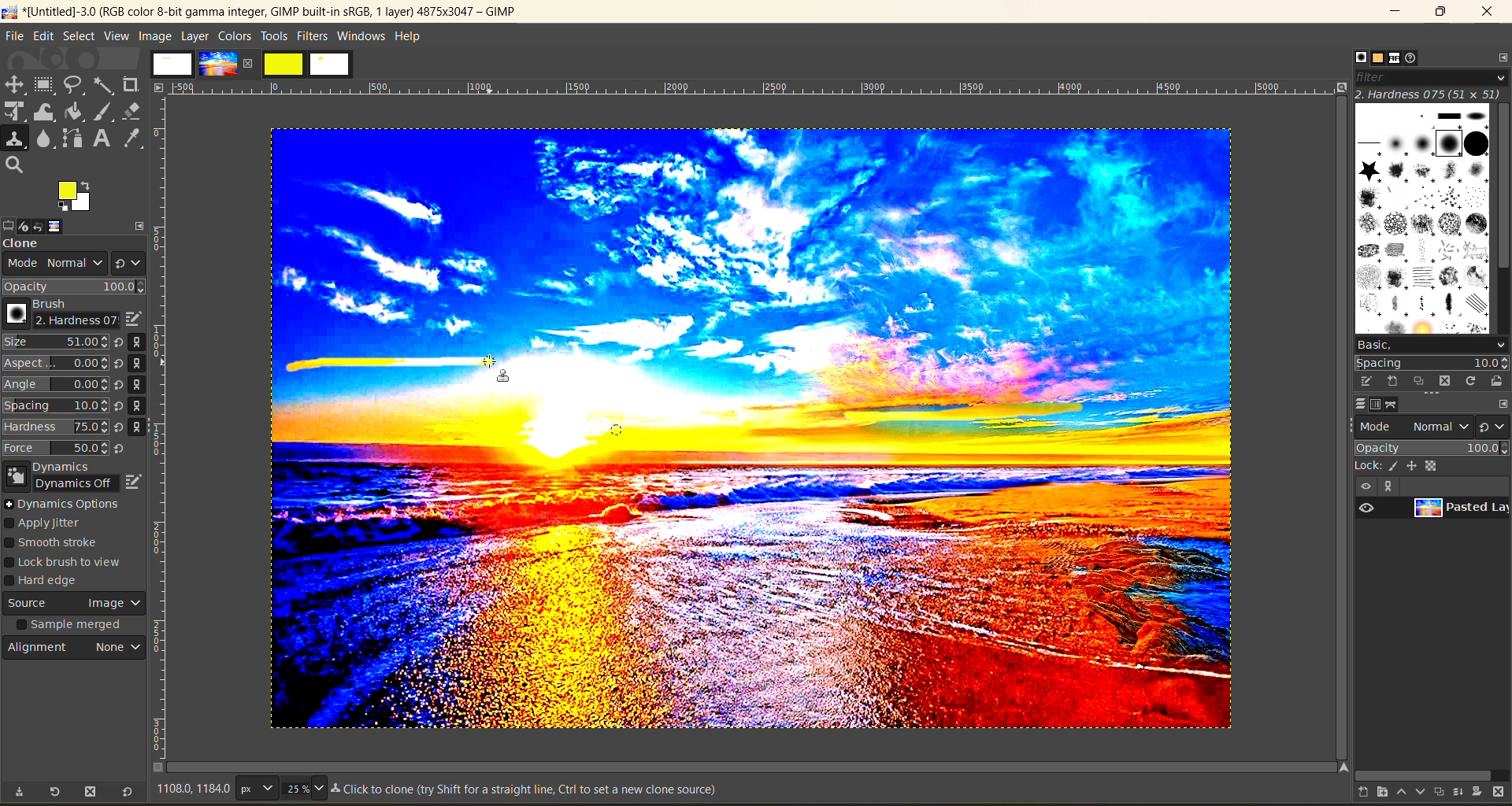 The width and height of the screenshot is (1512, 806). I want to click on position, so click(1414, 465).